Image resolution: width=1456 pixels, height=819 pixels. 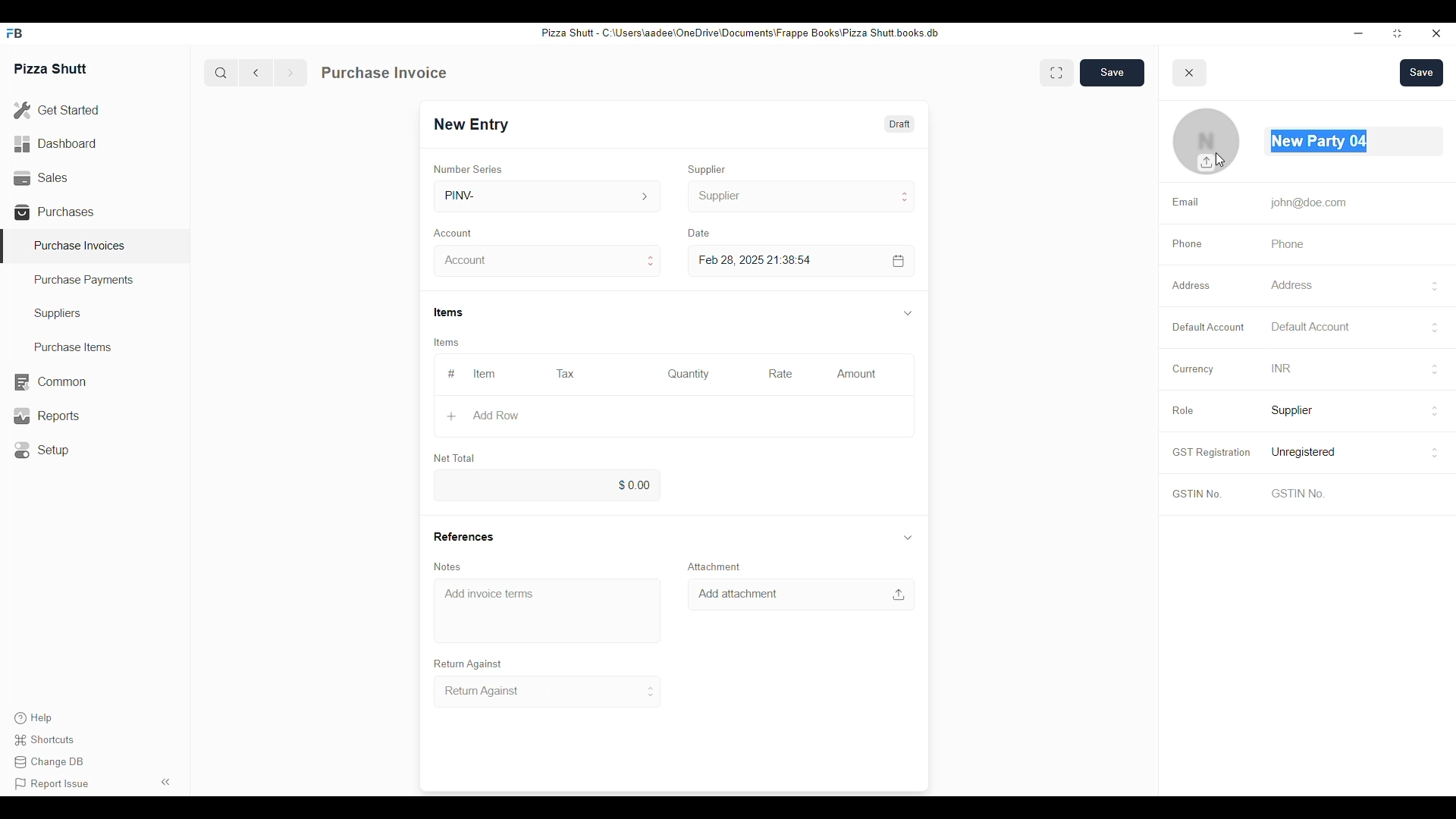 I want to click on Date, so click(x=701, y=233).